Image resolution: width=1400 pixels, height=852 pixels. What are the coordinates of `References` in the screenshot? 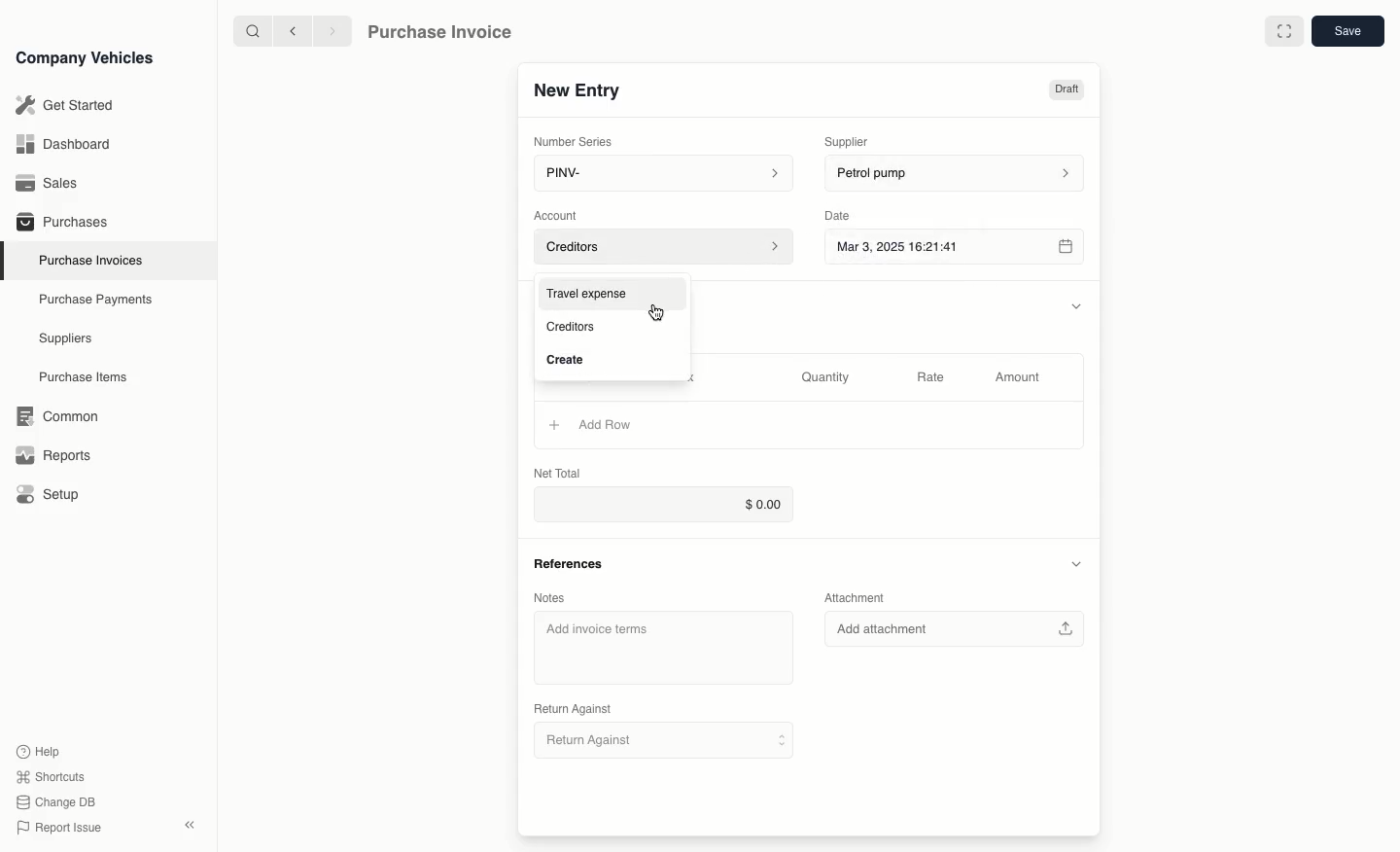 It's located at (568, 566).